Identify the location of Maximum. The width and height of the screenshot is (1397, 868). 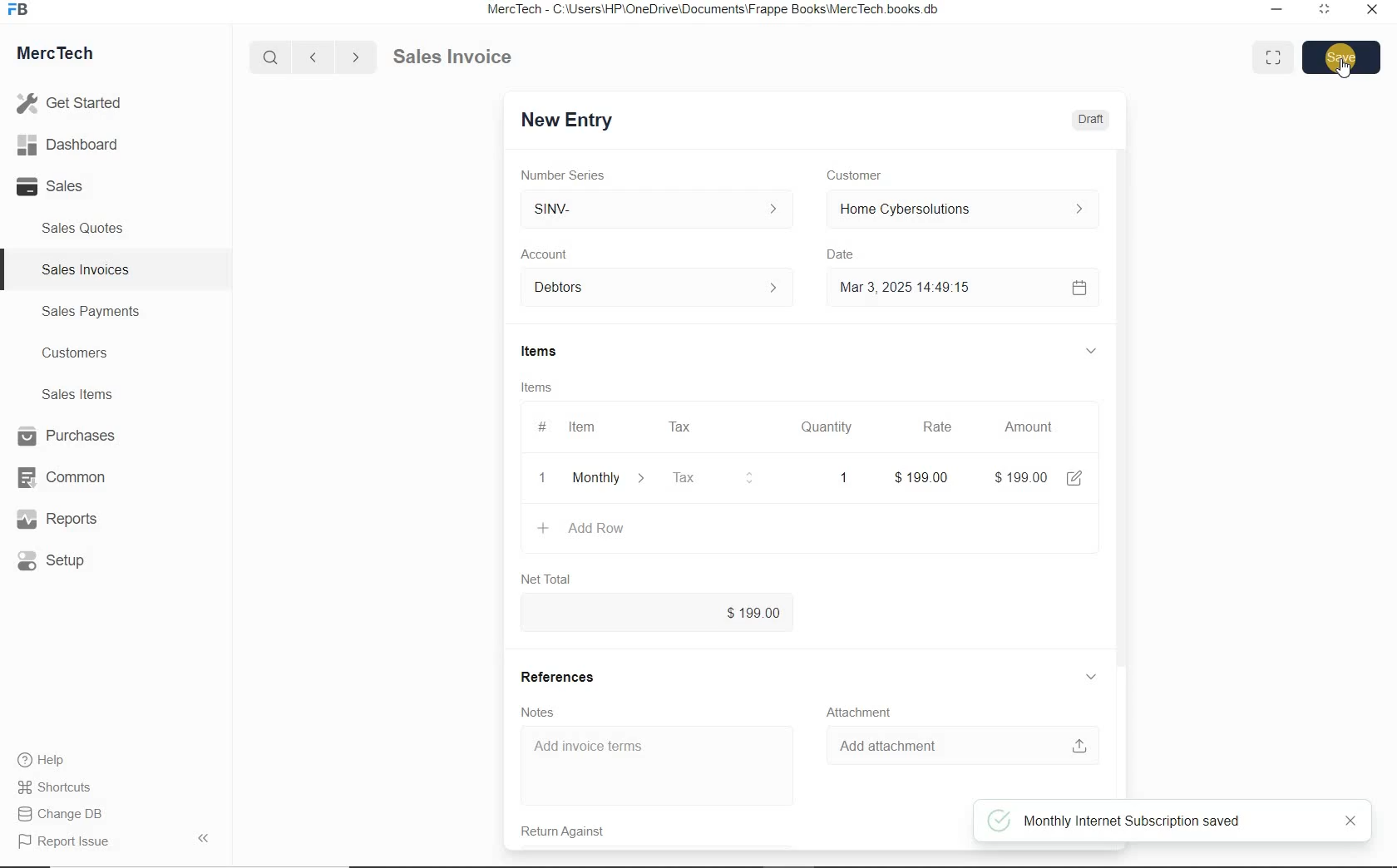
(1325, 12).